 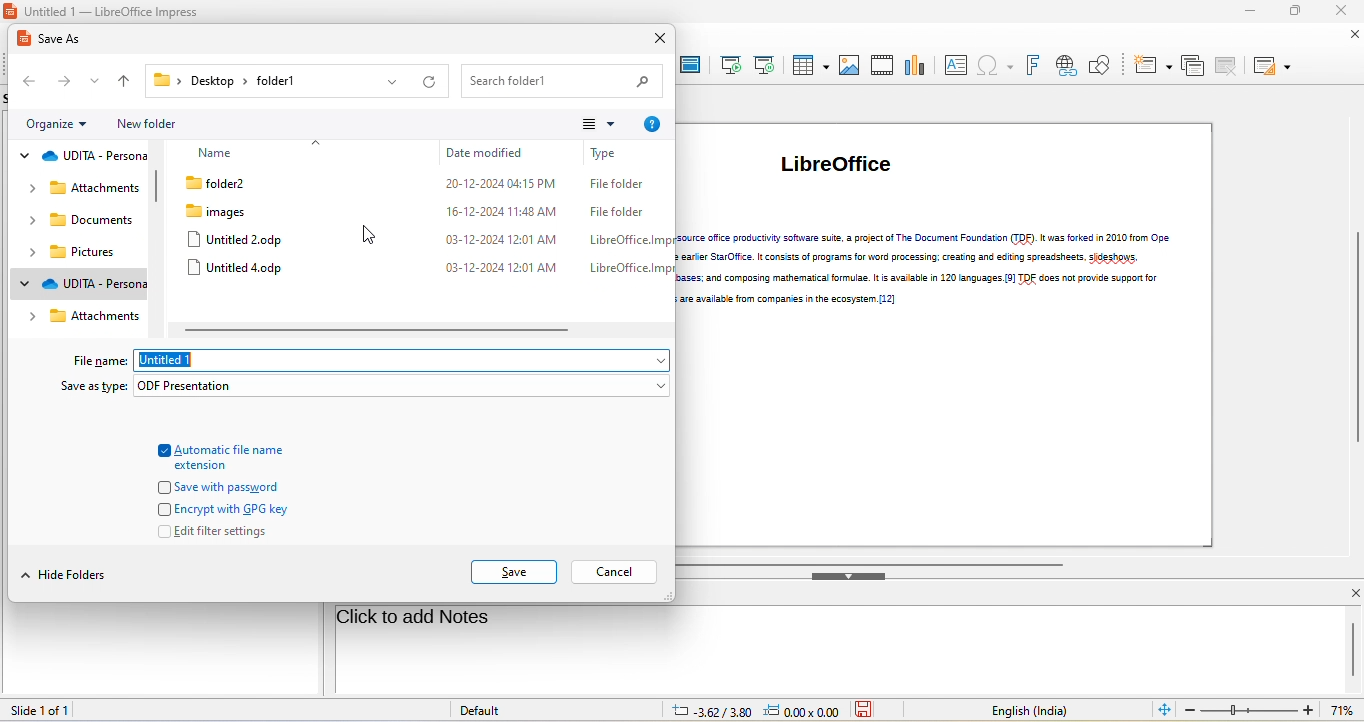 What do you see at coordinates (379, 330) in the screenshot?
I see `horizontal scroll bar` at bounding box center [379, 330].